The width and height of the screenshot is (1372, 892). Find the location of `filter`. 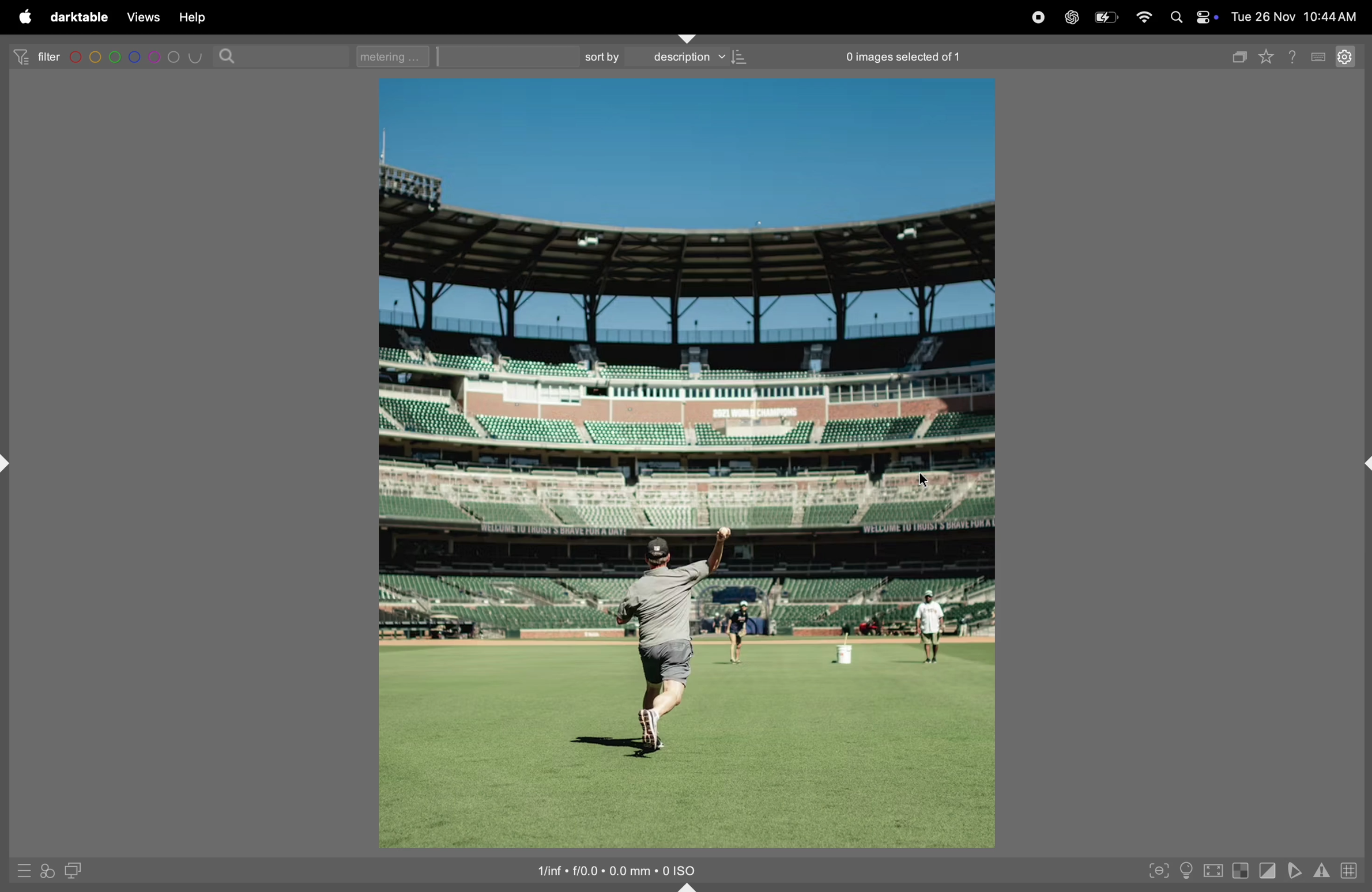

filter is located at coordinates (35, 56).